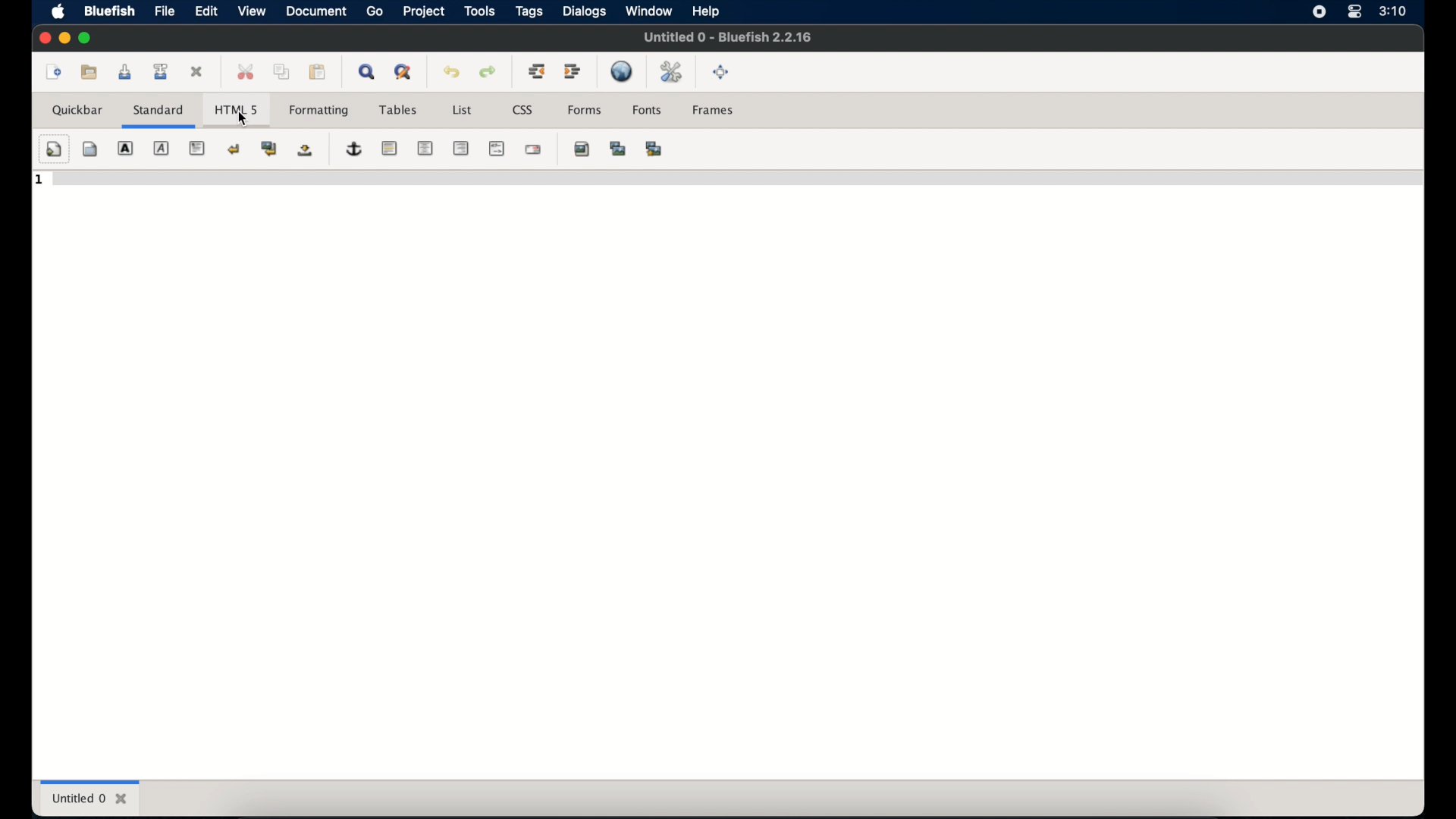 The image size is (1456, 819). I want to click on non breaking space, so click(305, 151).